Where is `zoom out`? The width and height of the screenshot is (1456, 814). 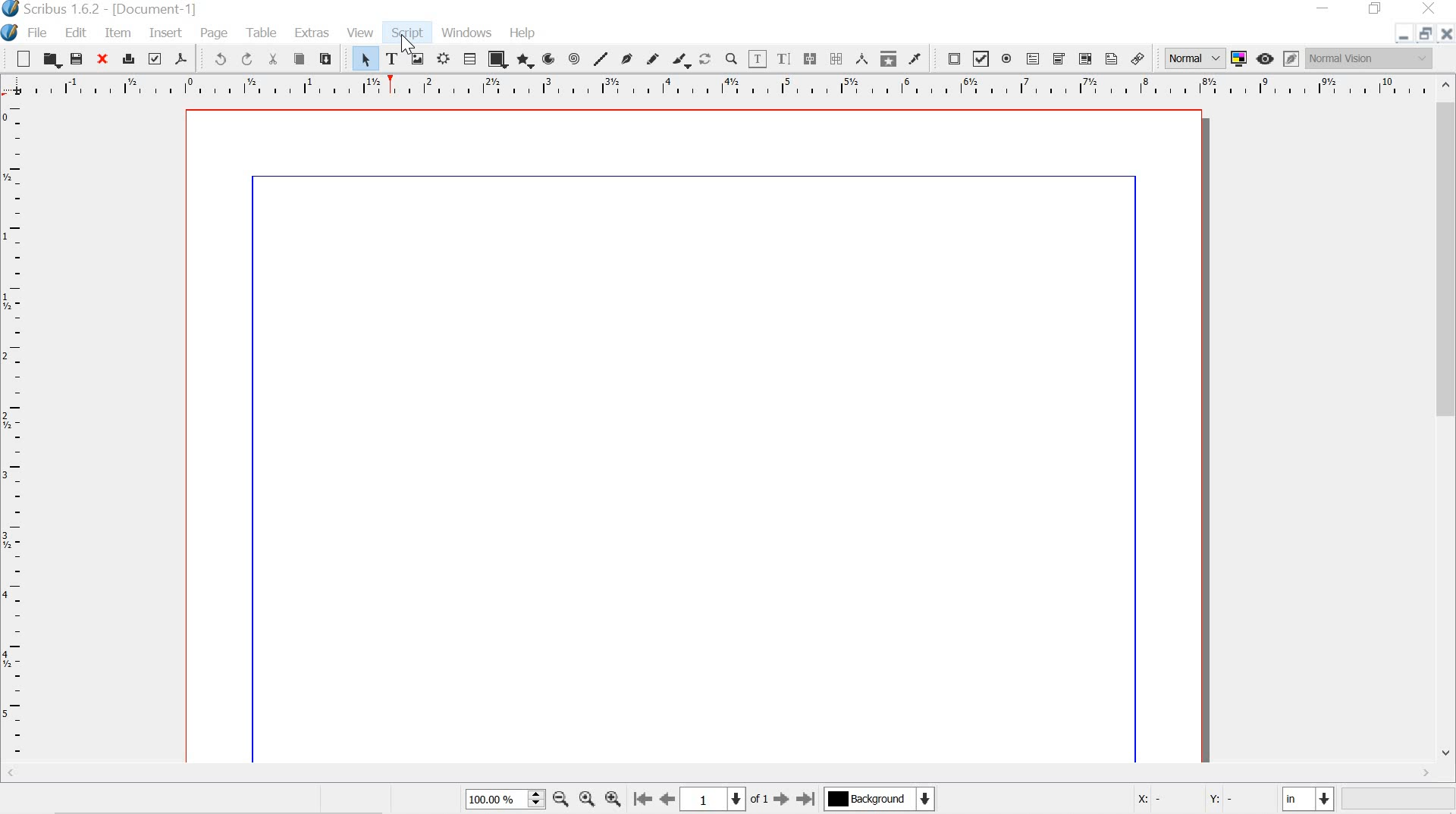 zoom out is located at coordinates (561, 801).